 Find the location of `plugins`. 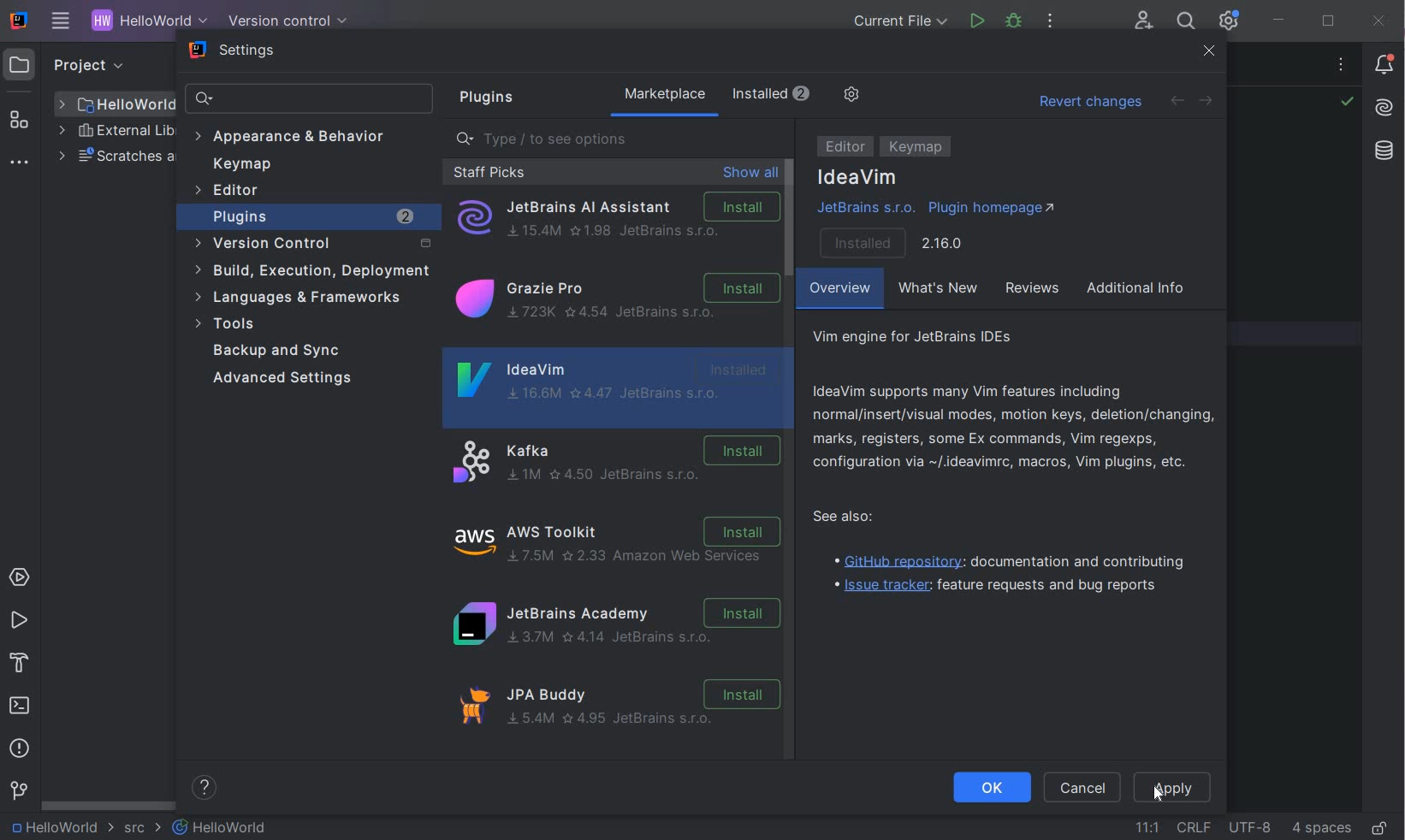

plugins is located at coordinates (315, 216).